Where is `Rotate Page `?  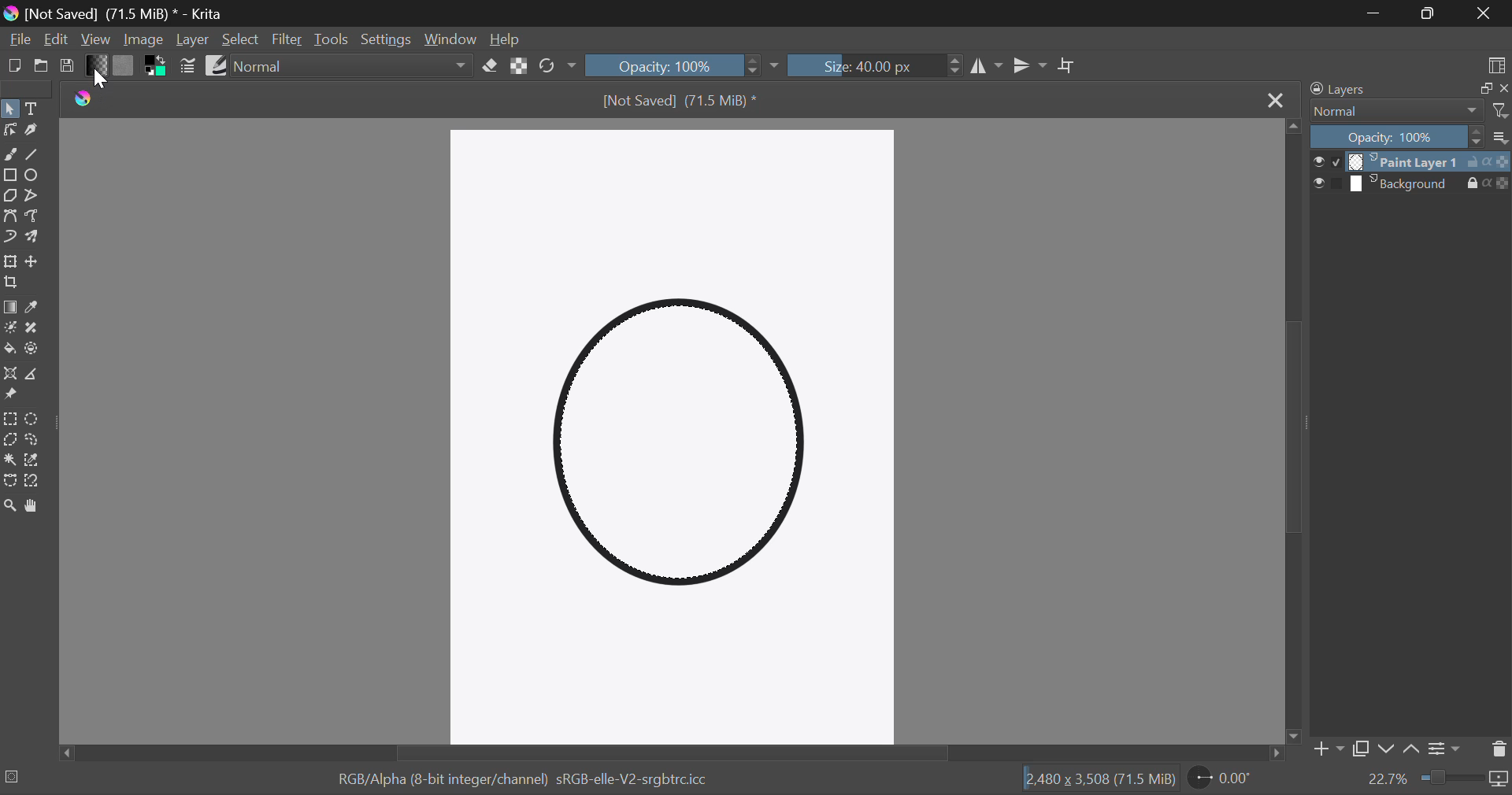 Rotate Page  is located at coordinates (1220, 778).